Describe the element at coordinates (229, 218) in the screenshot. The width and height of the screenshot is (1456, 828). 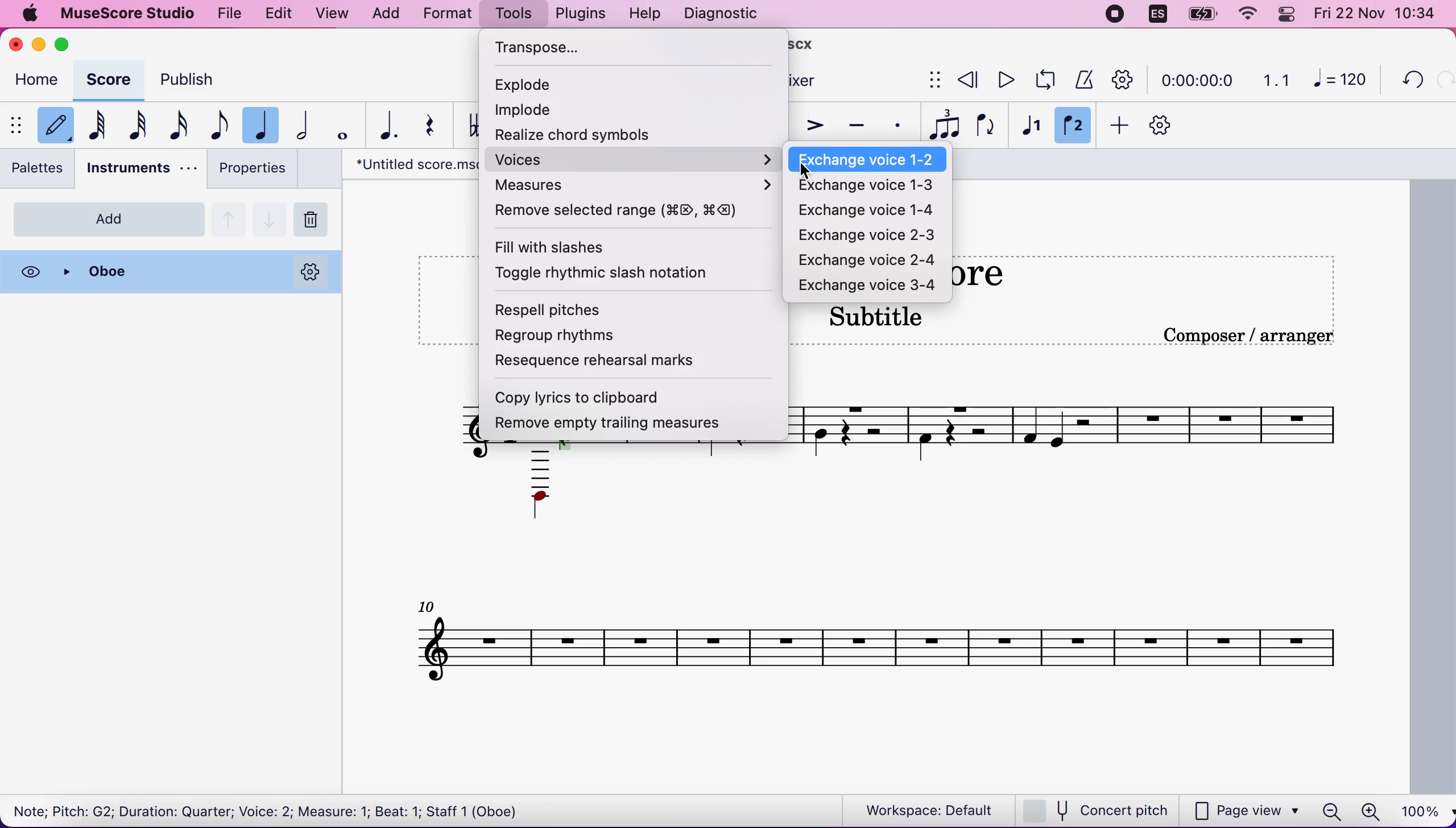
I see `go up` at that location.